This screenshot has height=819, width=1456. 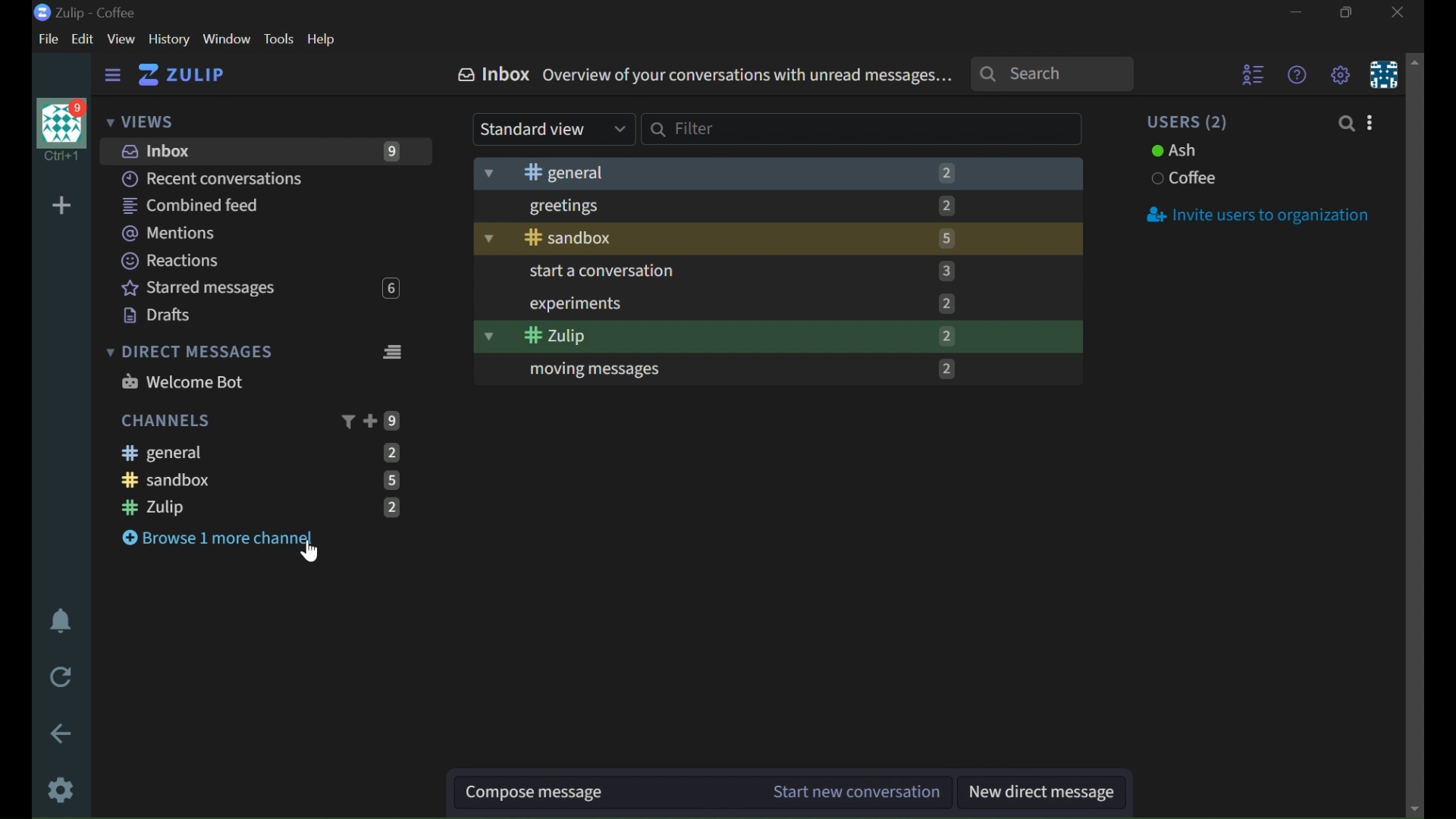 I want to click on GO BACK, so click(x=63, y=733).